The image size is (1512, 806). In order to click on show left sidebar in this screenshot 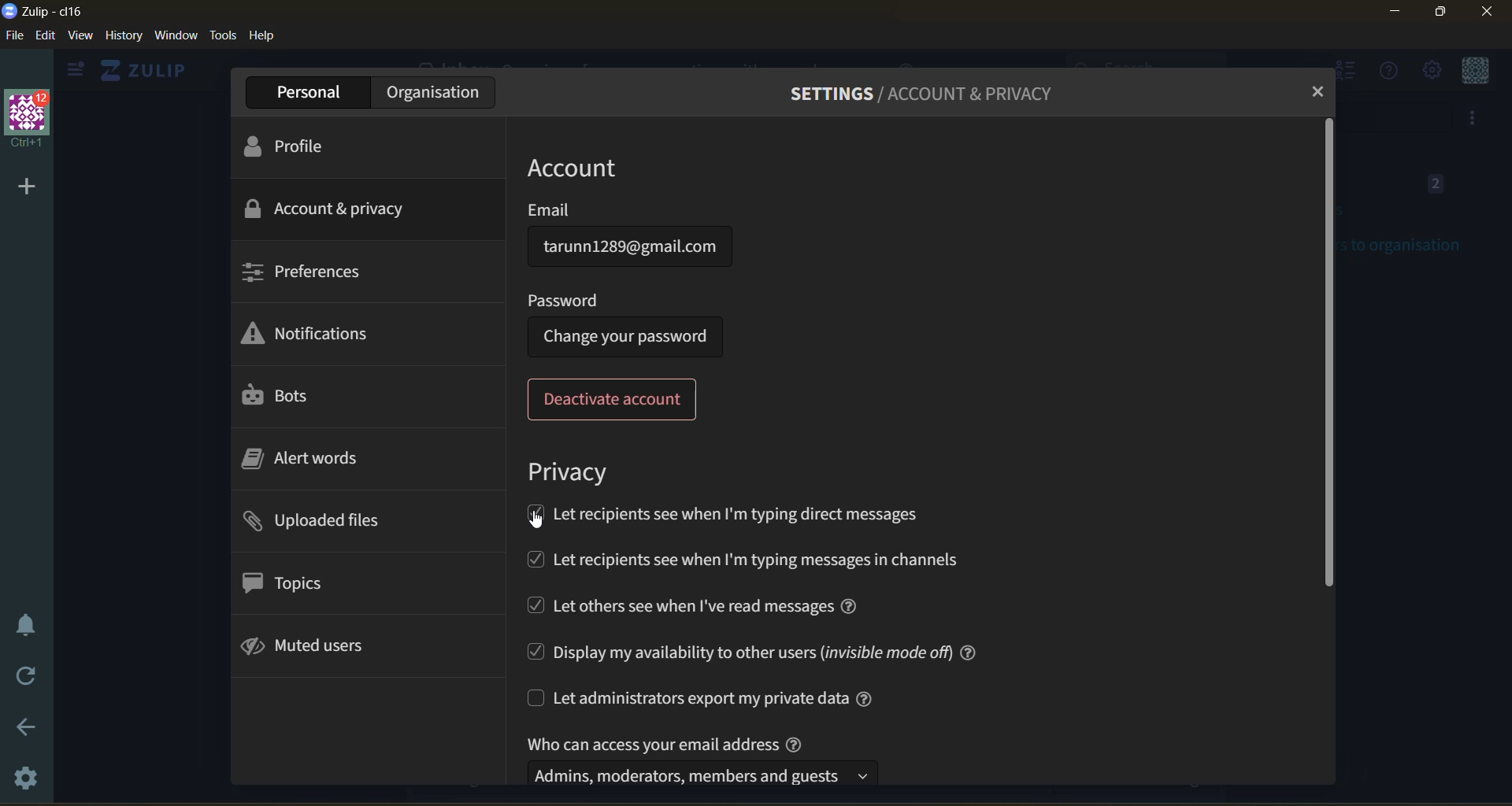, I will do `click(72, 70)`.